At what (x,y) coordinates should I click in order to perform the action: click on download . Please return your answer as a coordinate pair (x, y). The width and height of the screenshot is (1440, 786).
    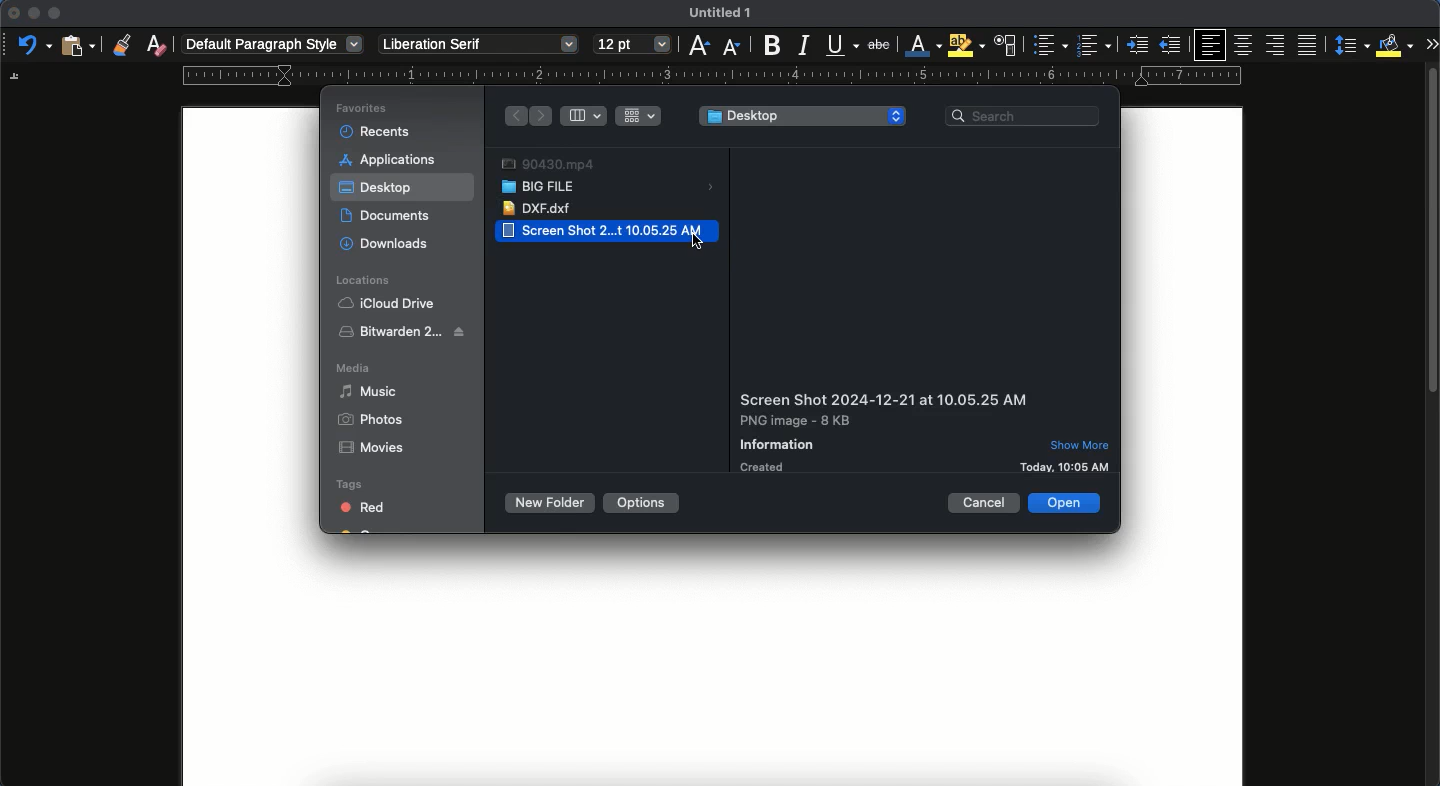
    Looking at the image, I should click on (386, 243).